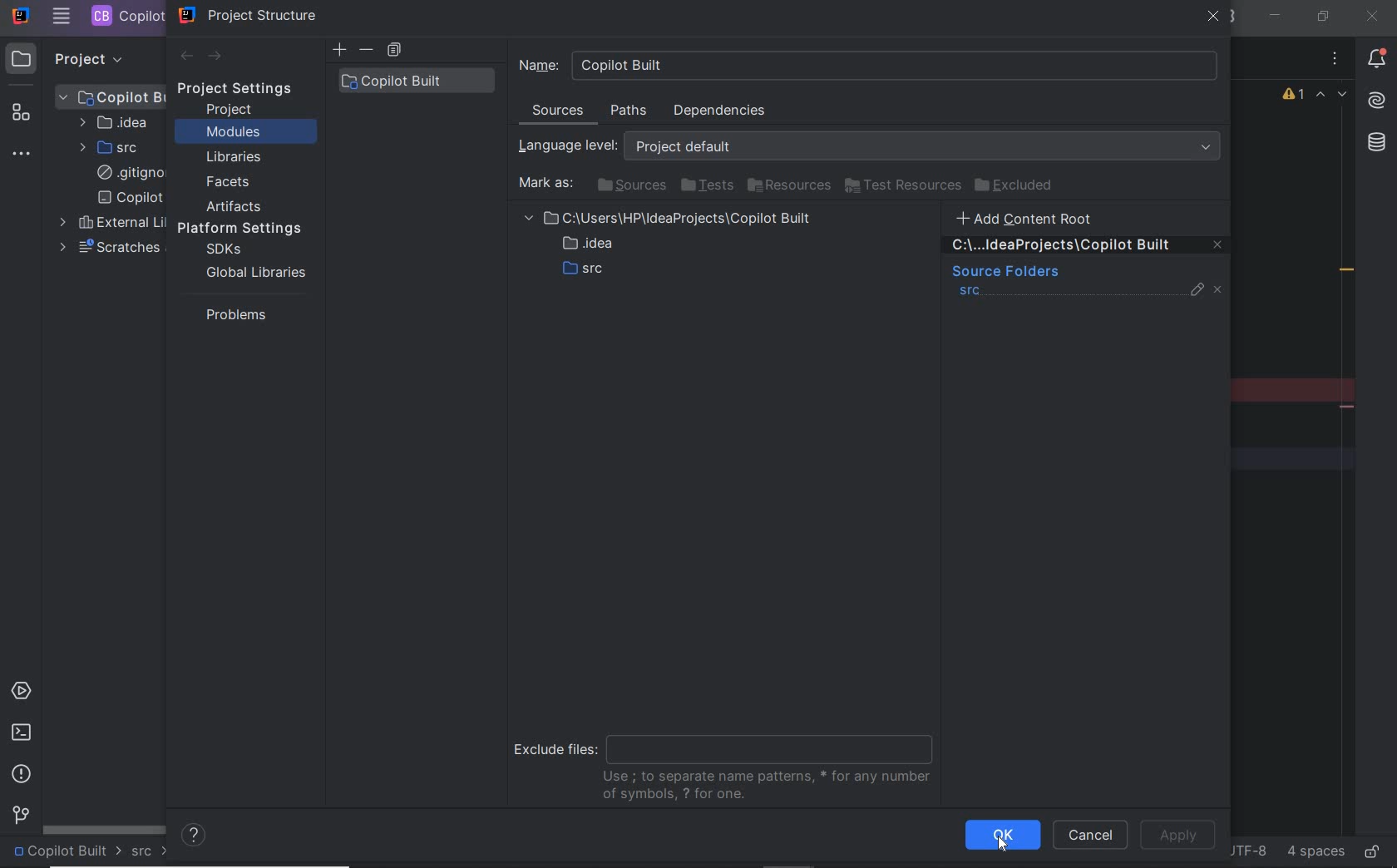  I want to click on scrollbar, so click(105, 828).